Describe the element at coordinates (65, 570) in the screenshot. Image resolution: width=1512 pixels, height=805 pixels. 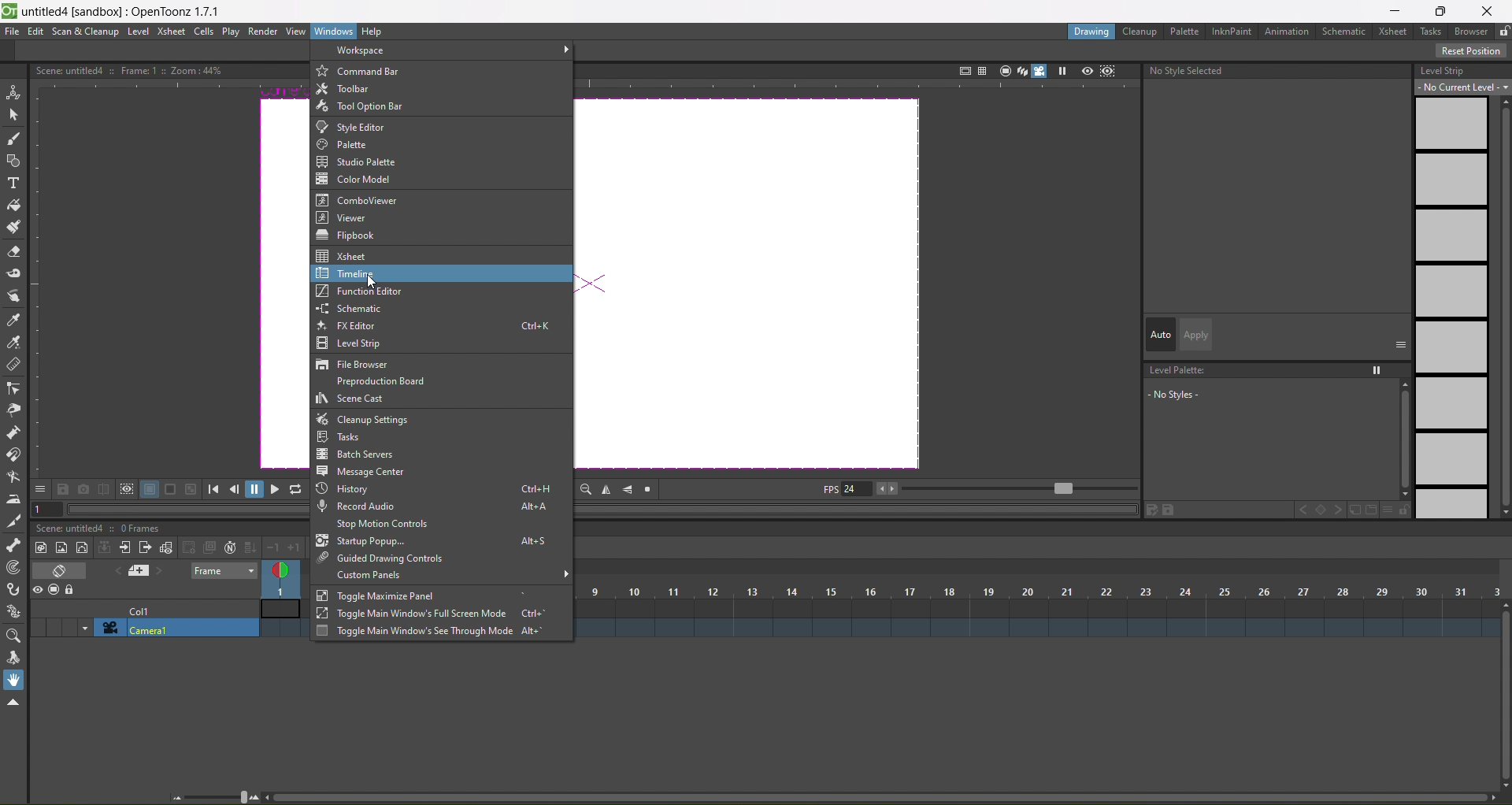
I see `toggle xsheet` at that location.